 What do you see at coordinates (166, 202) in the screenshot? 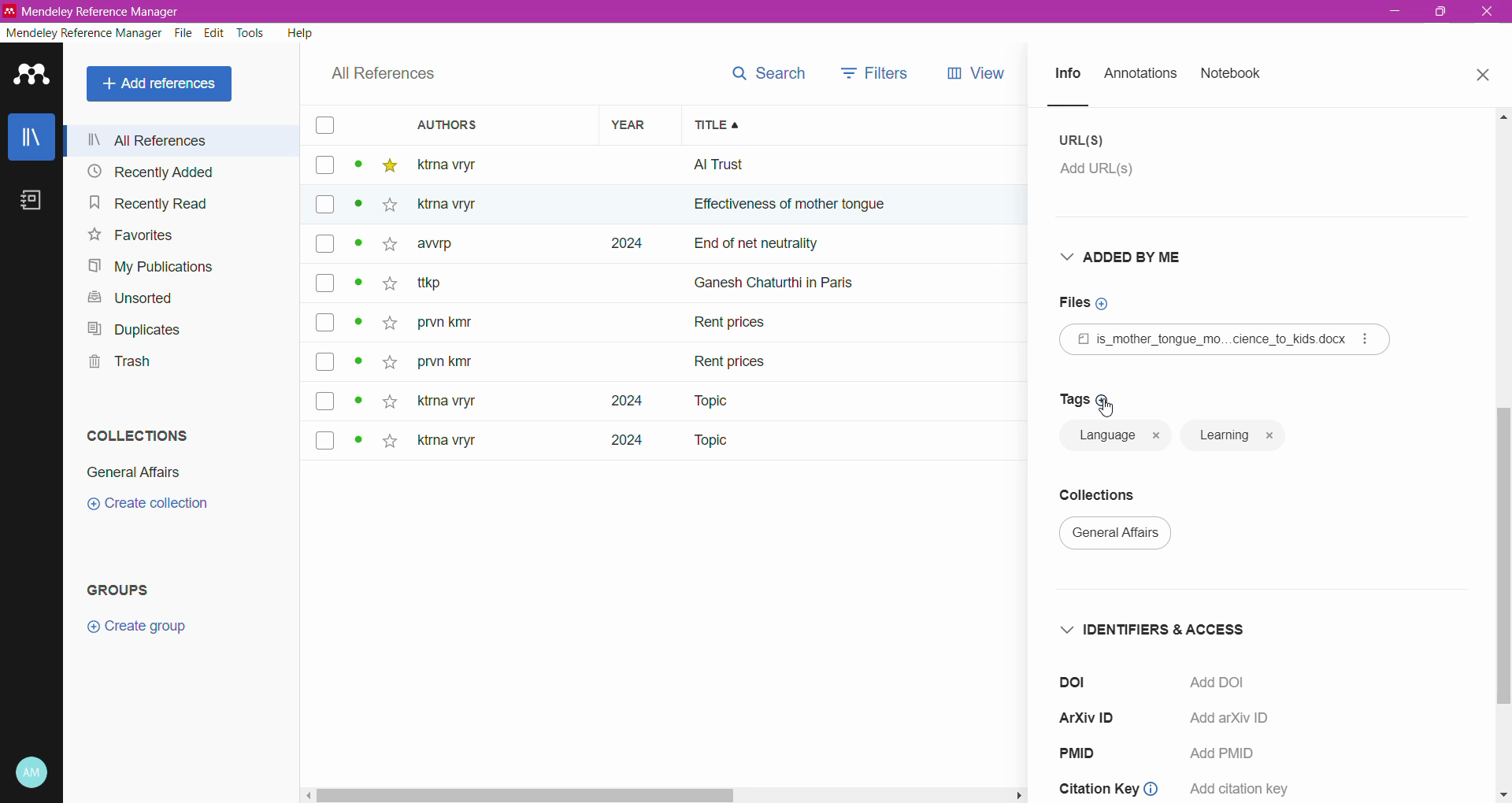
I see `Recently Read` at bounding box center [166, 202].